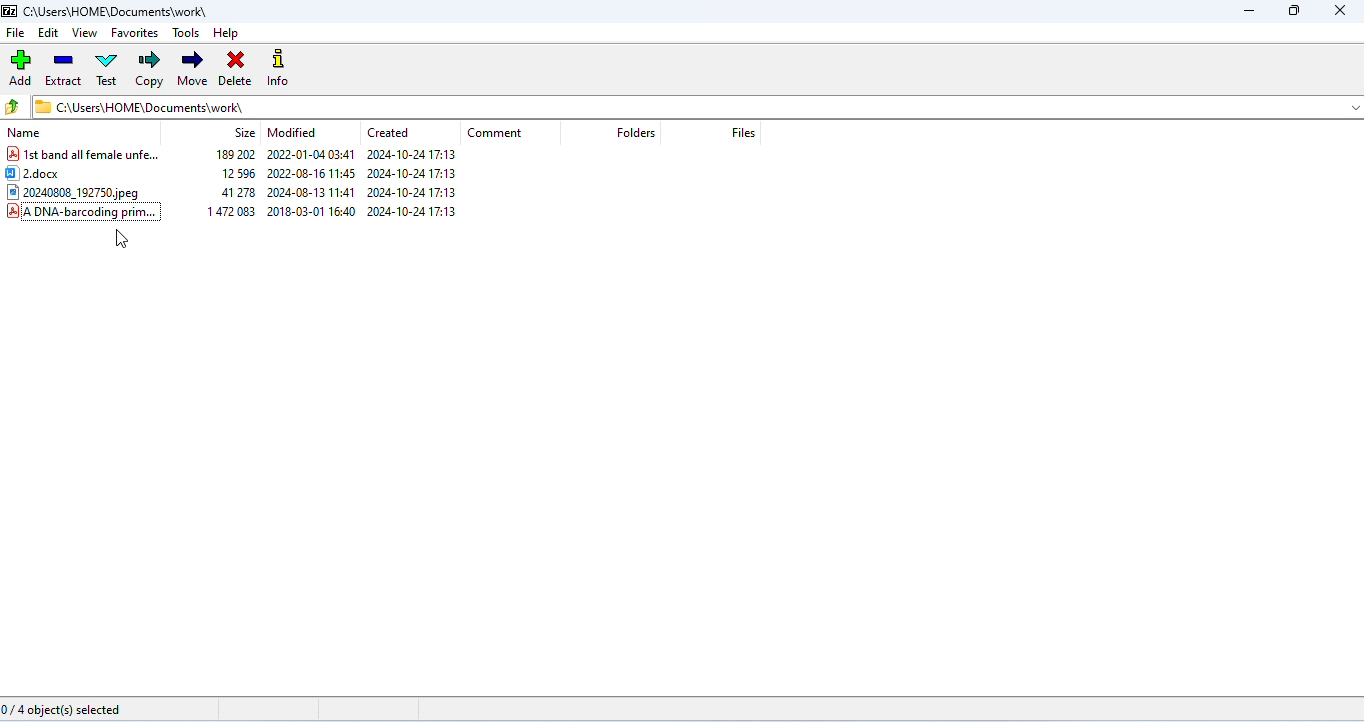 The height and width of the screenshot is (722, 1364). I want to click on CAUsers\HOME\Documents\work\, so click(106, 11).